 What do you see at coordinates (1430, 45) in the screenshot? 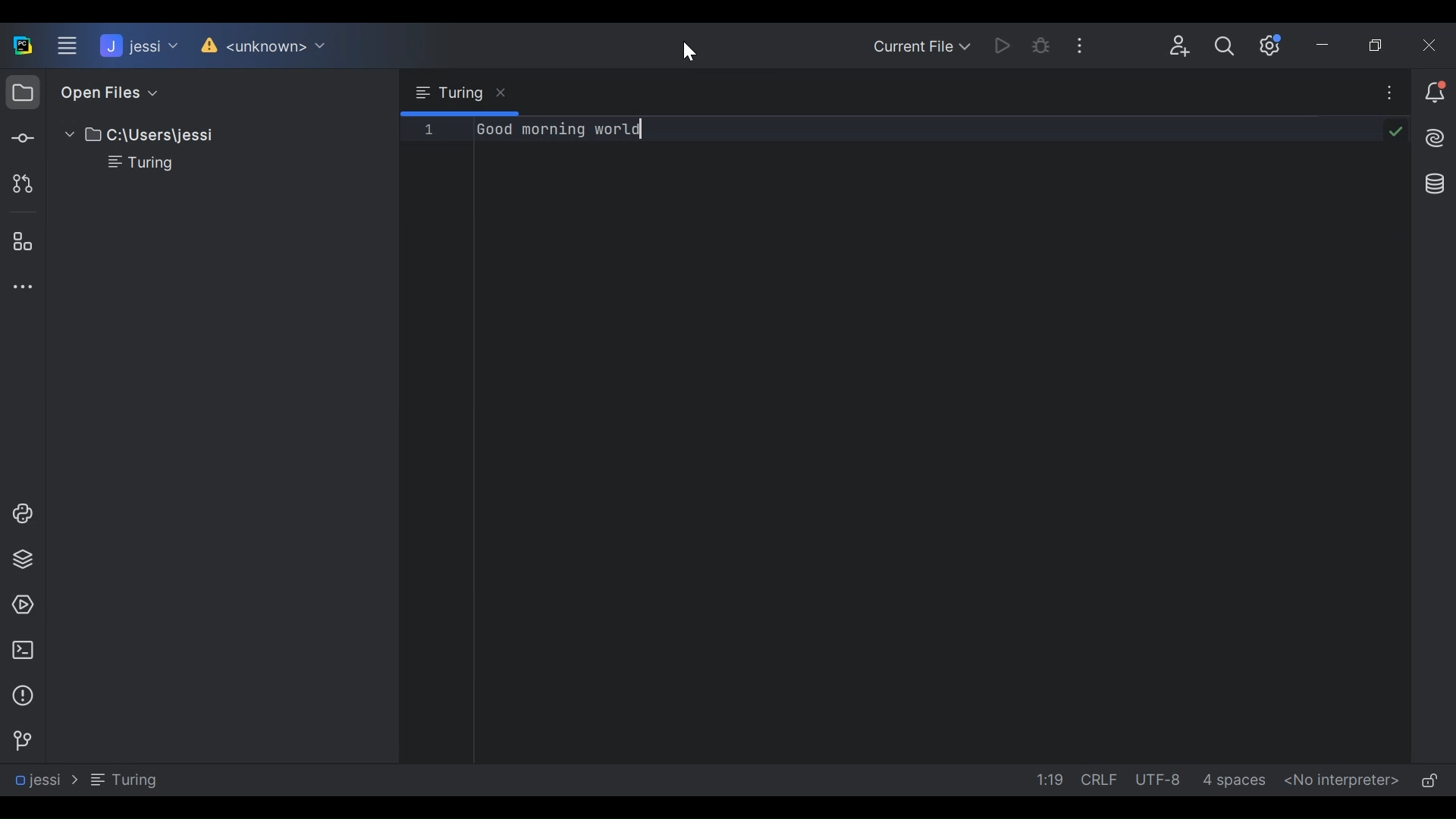
I see `Close` at bounding box center [1430, 45].